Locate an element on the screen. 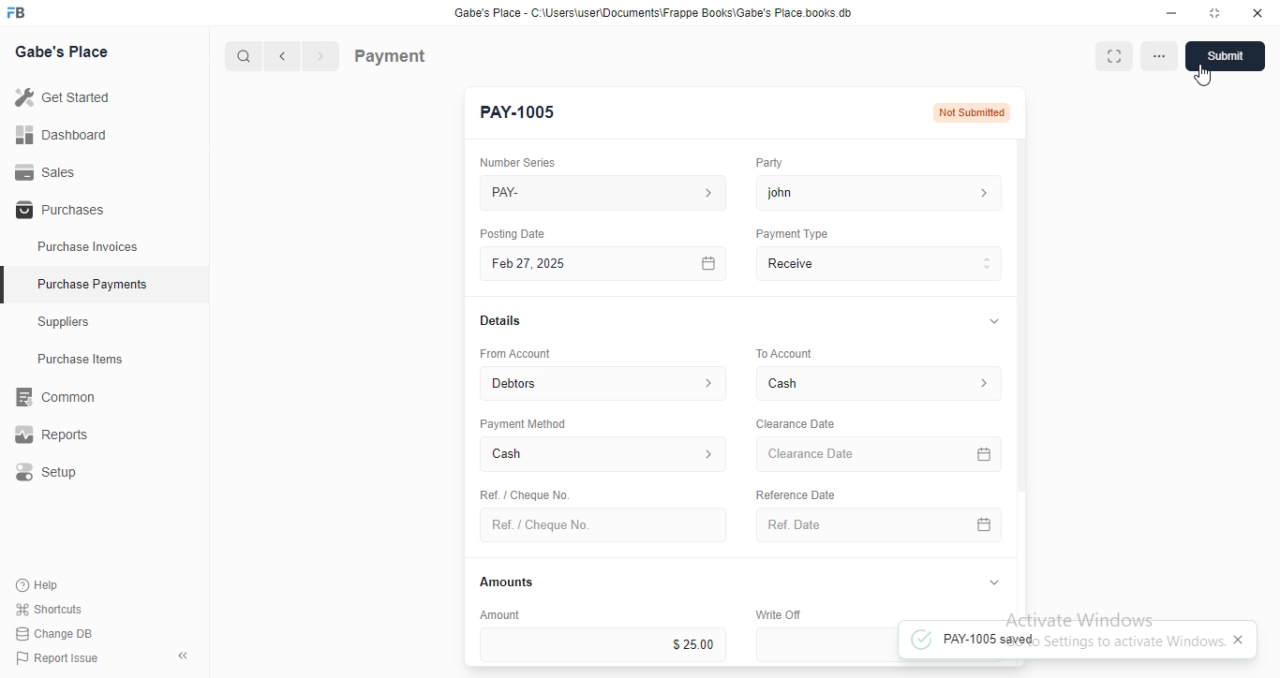 The image size is (1280, 678). close is located at coordinates (1258, 13).